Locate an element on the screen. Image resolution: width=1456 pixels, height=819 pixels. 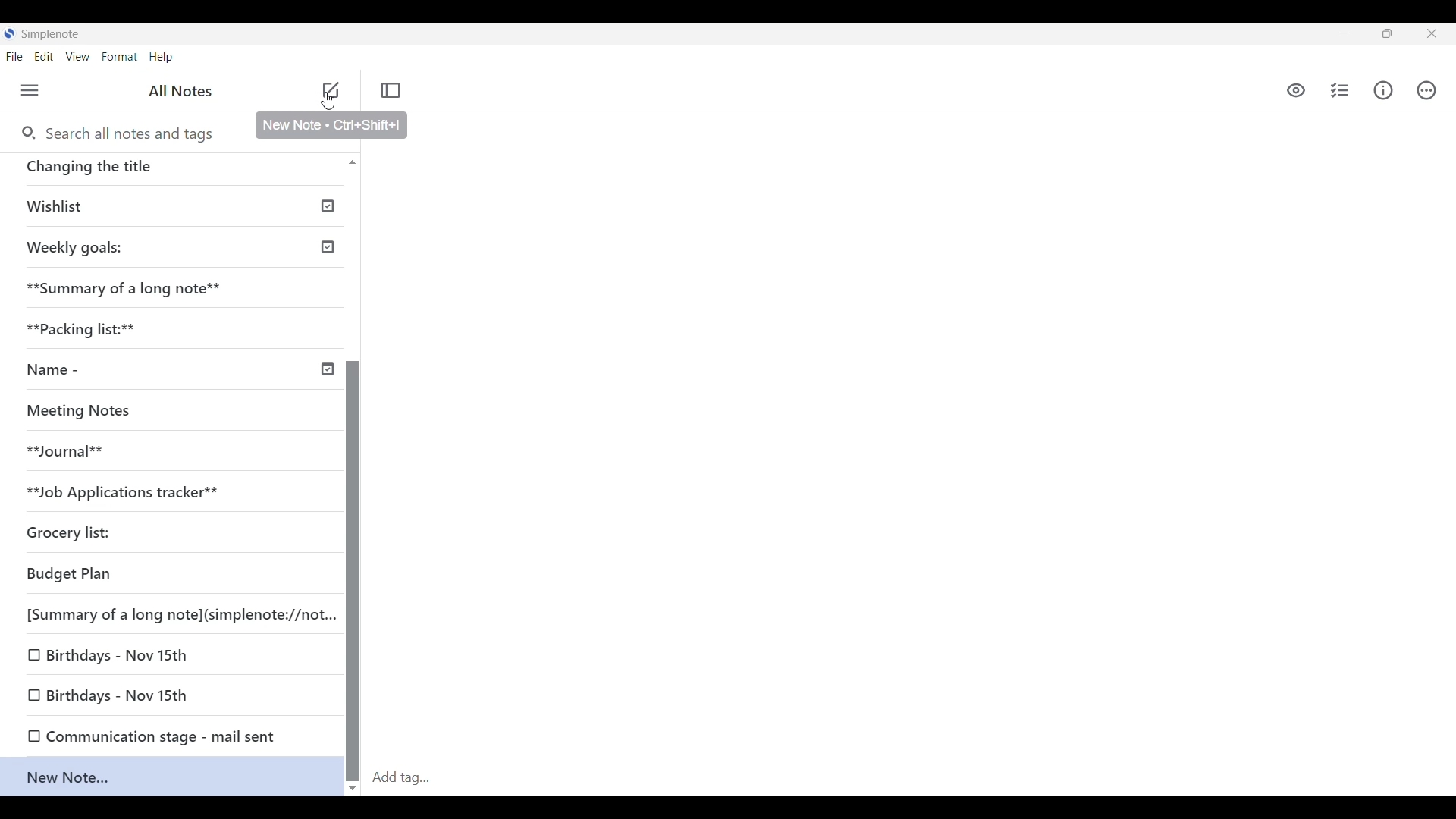
Checkbox is located at coordinates (29, 736).